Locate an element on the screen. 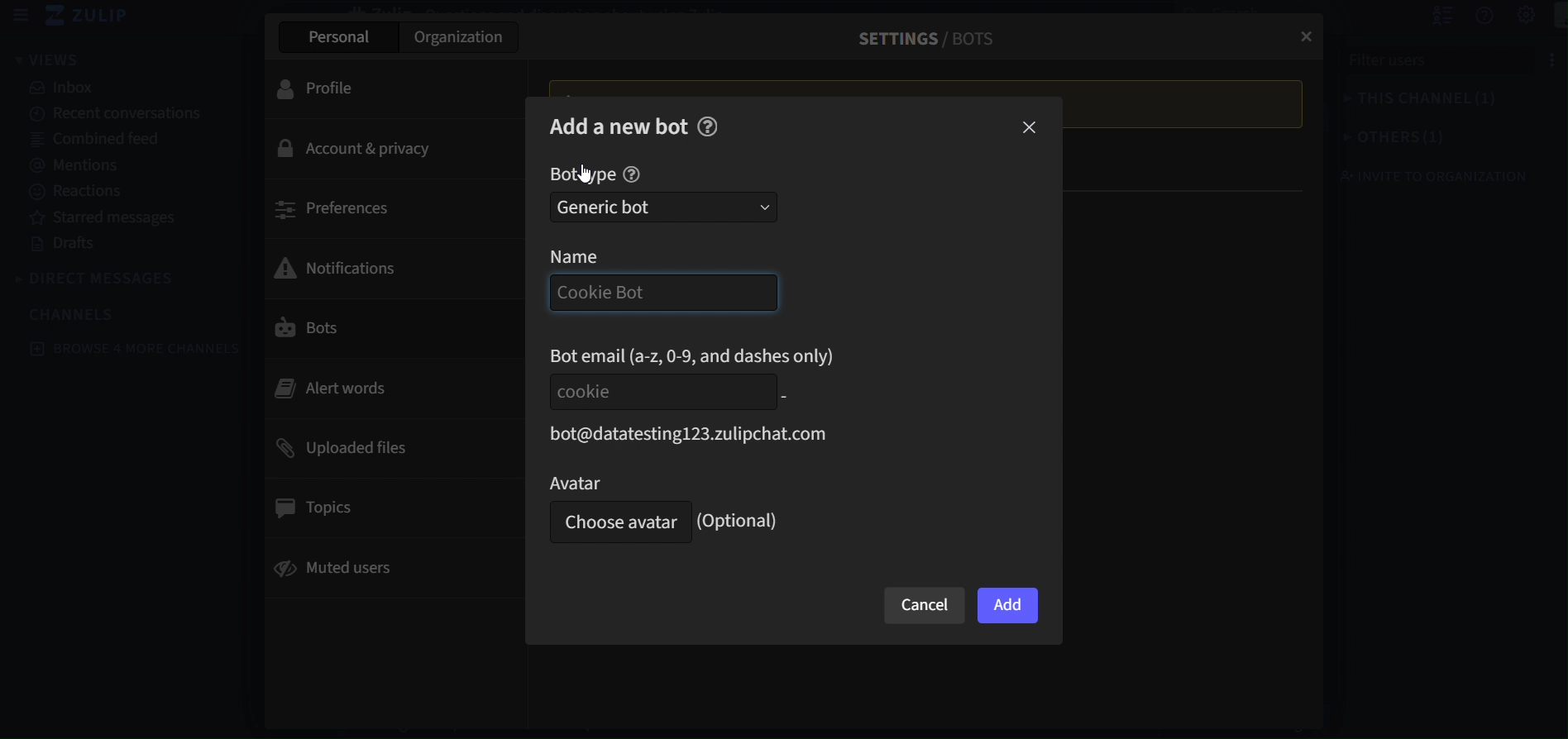 The image size is (1568, 739). combined feed is located at coordinates (104, 141).